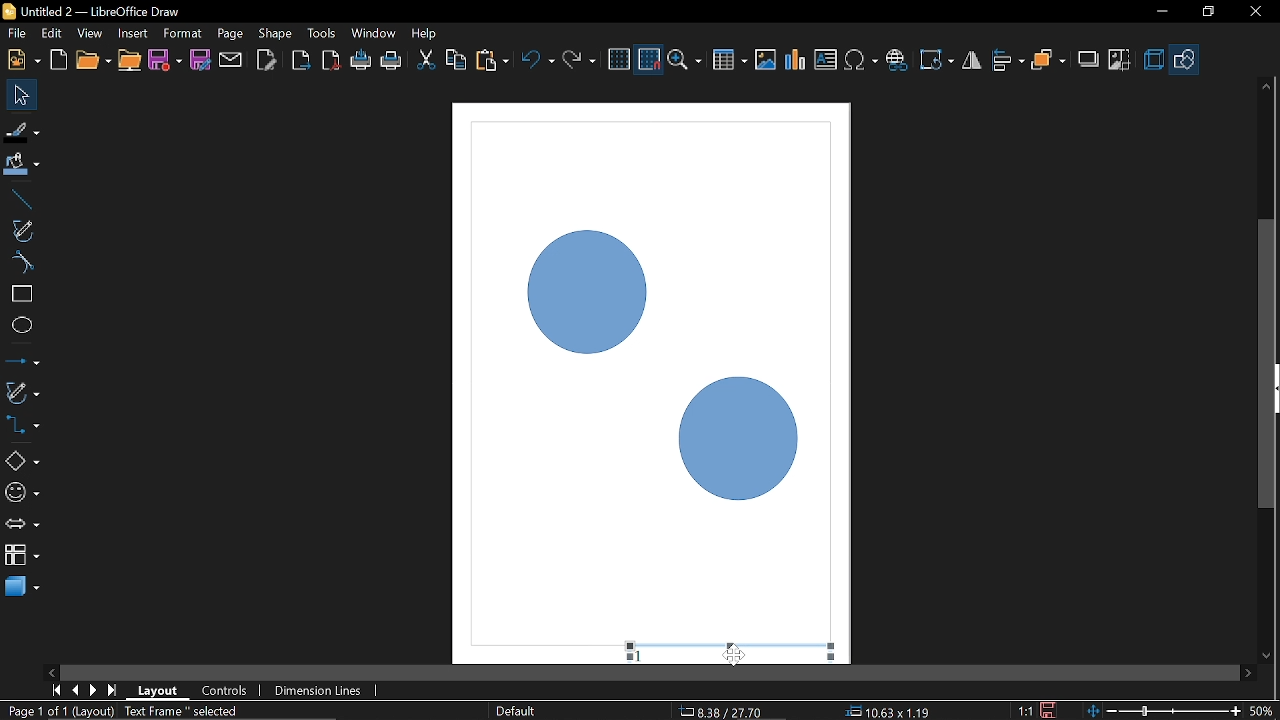 The width and height of the screenshot is (1280, 720). What do you see at coordinates (90, 11) in the screenshot?
I see `Current window` at bounding box center [90, 11].